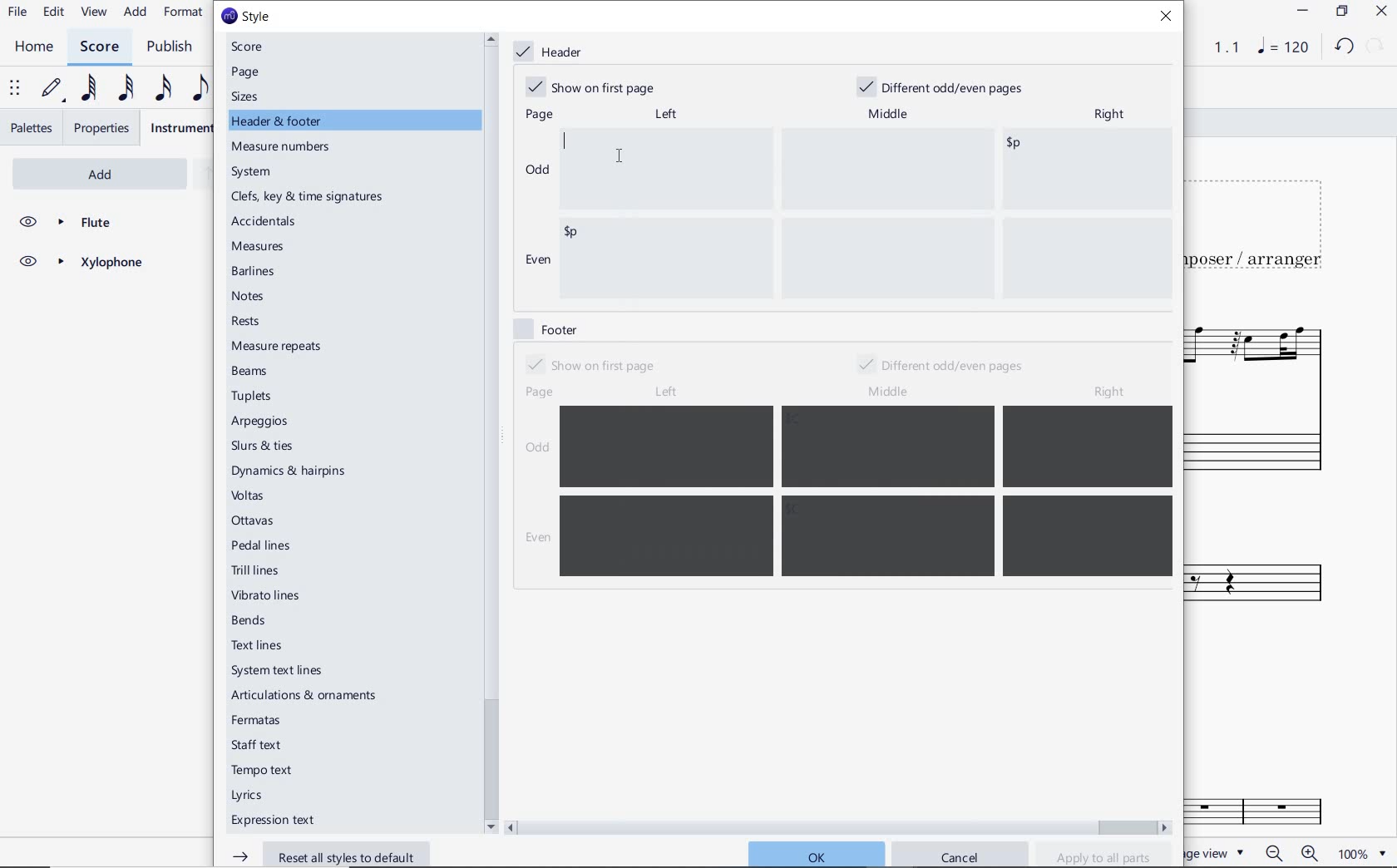 The width and height of the screenshot is (1397, 868). I want to click on PLAY TIME, so click(1217, 47).